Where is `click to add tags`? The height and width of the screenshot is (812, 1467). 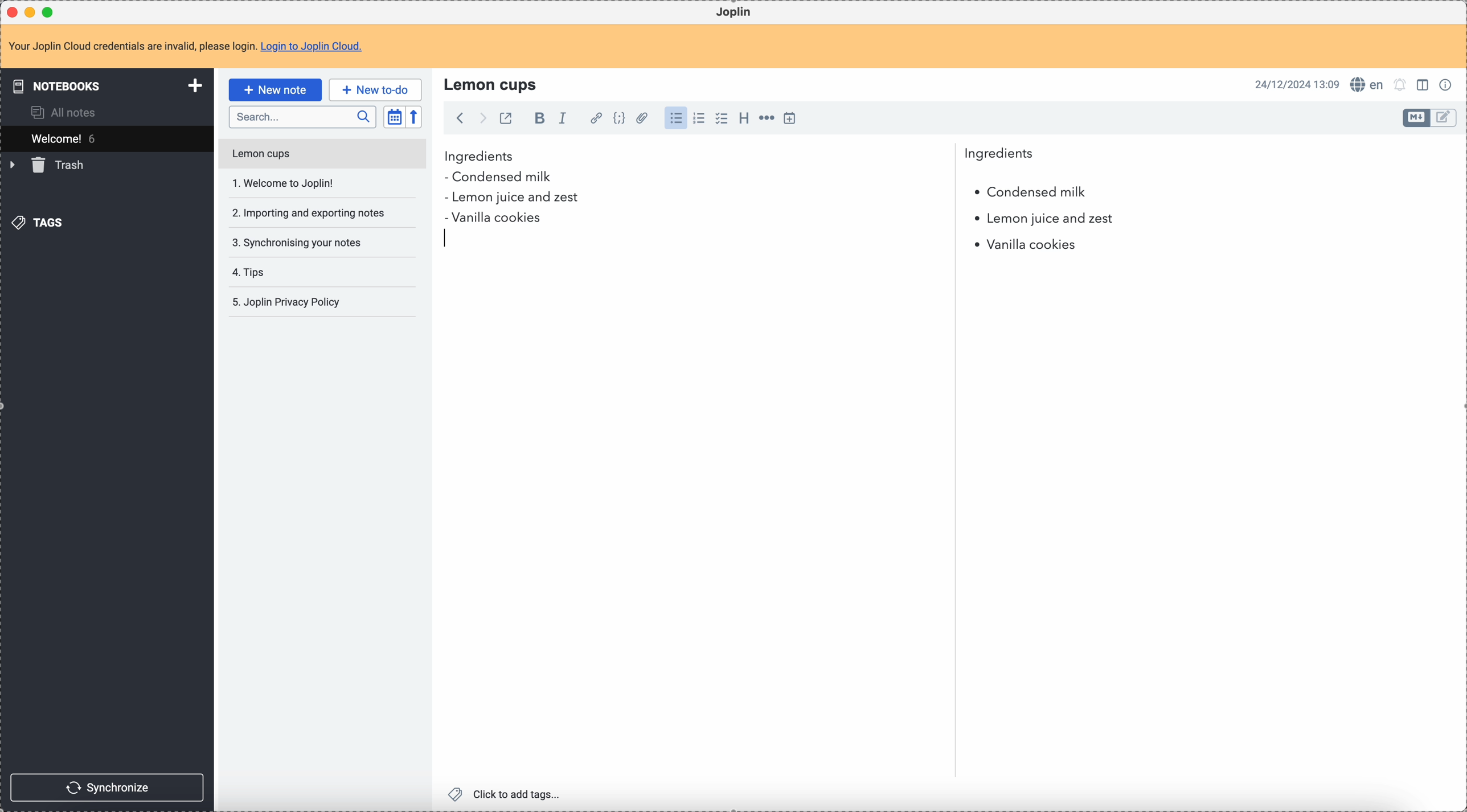
click to add tags is located at coordinates (507, 793).